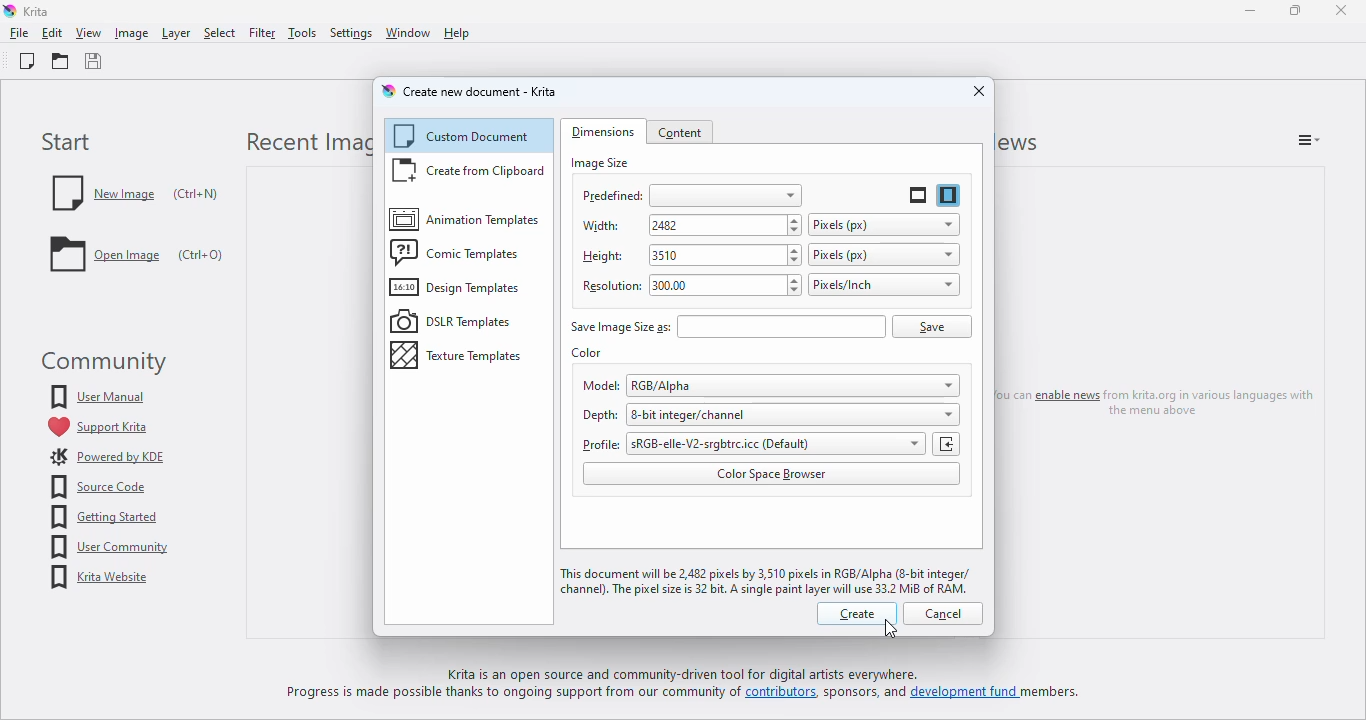 The image size is (1366, 720). What do you see at coordinates (90, 33) in the screenshot?
I see `view` at bounding box center [90, 33].